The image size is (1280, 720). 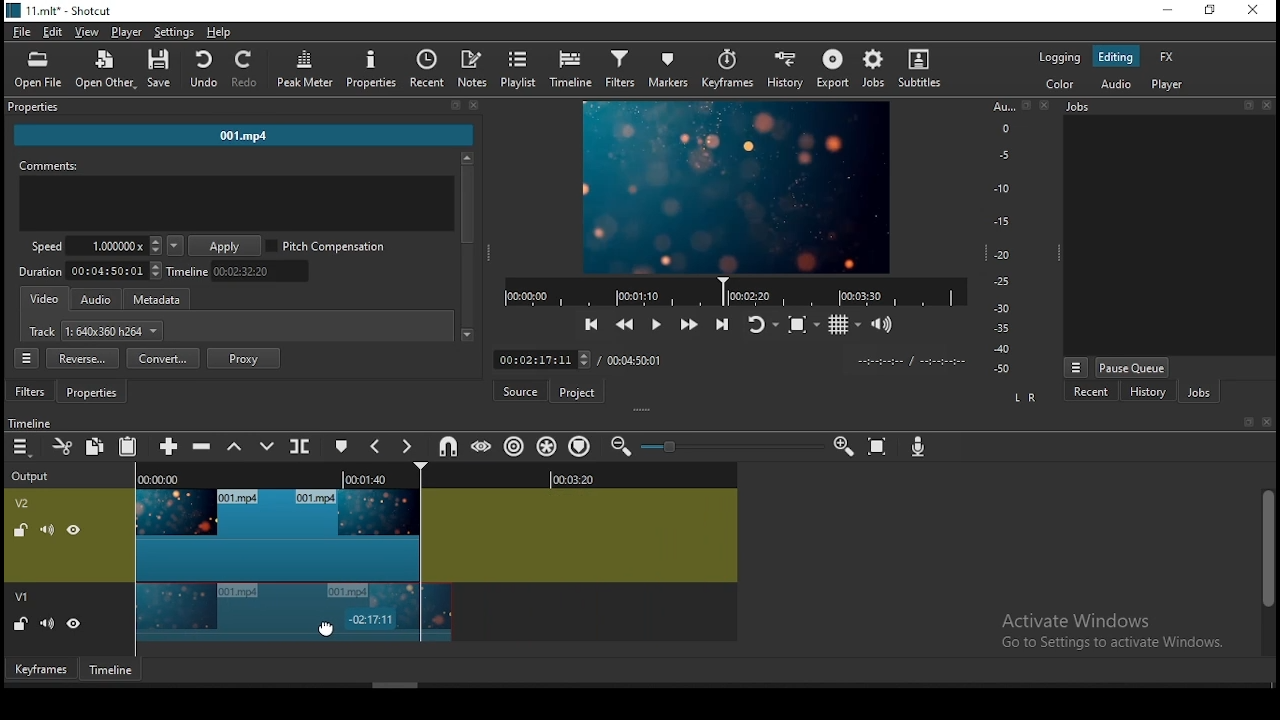 What do you see at coordinates (127, 449) in the screenshot?
I see `paste` at bounding box center [127, 449].